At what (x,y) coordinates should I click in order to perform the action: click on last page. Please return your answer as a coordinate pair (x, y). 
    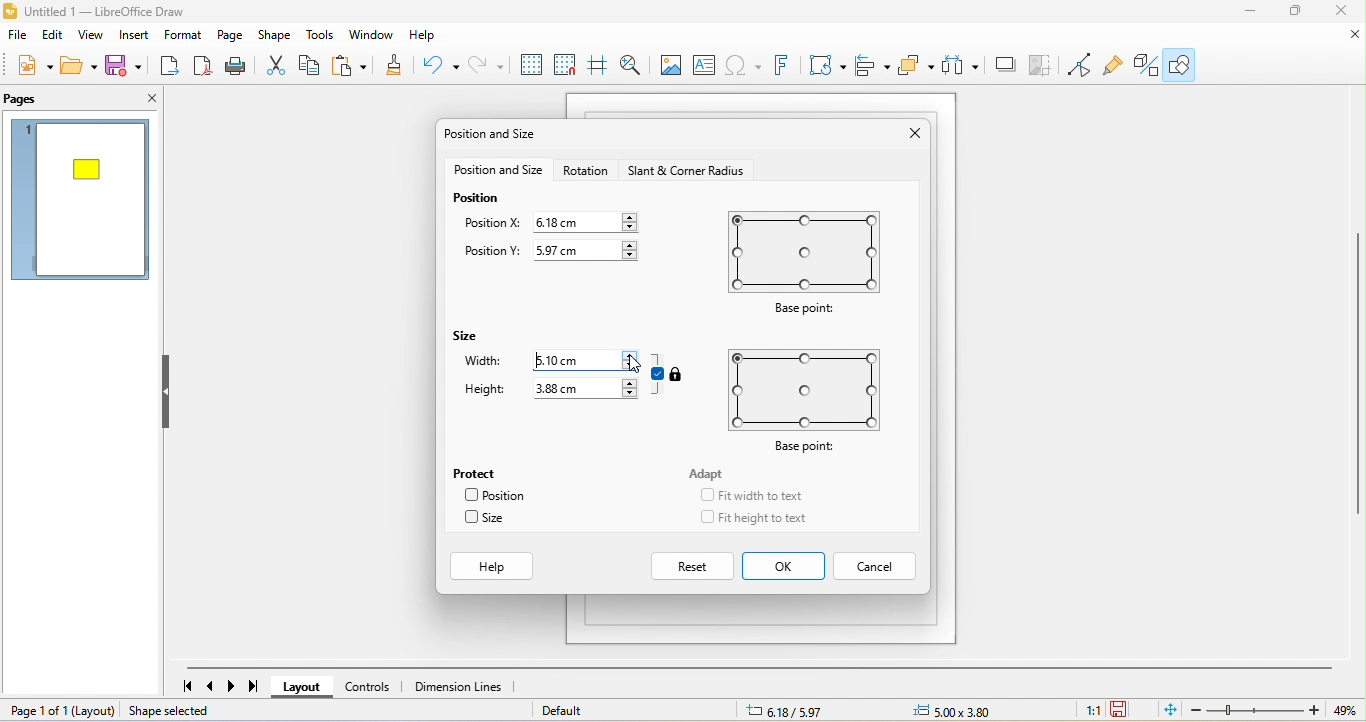
    Looking at the image, I should click on (258, 687).